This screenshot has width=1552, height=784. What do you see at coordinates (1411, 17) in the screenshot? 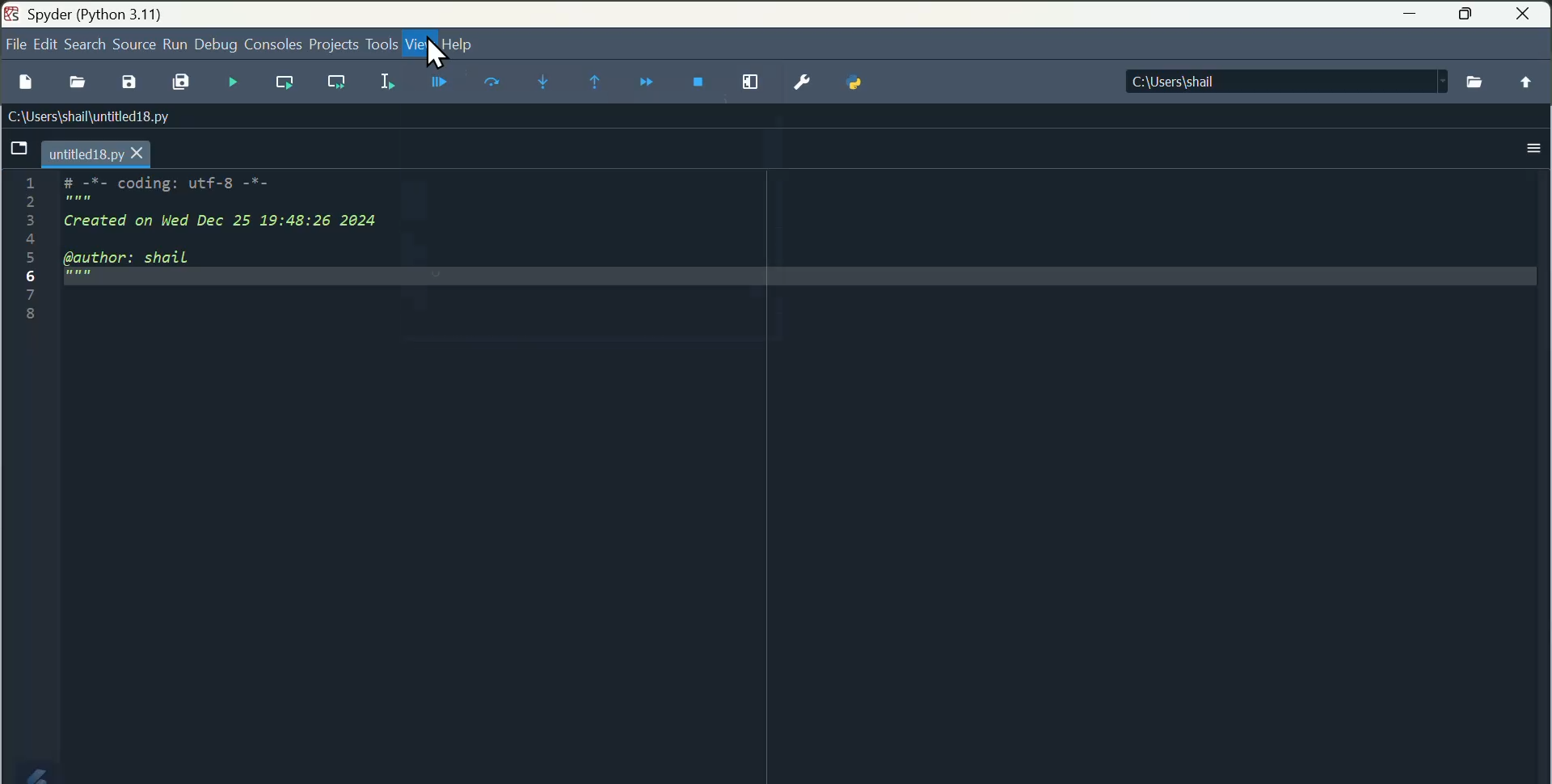
I see `minimise` at bounding box center [1411, 17].